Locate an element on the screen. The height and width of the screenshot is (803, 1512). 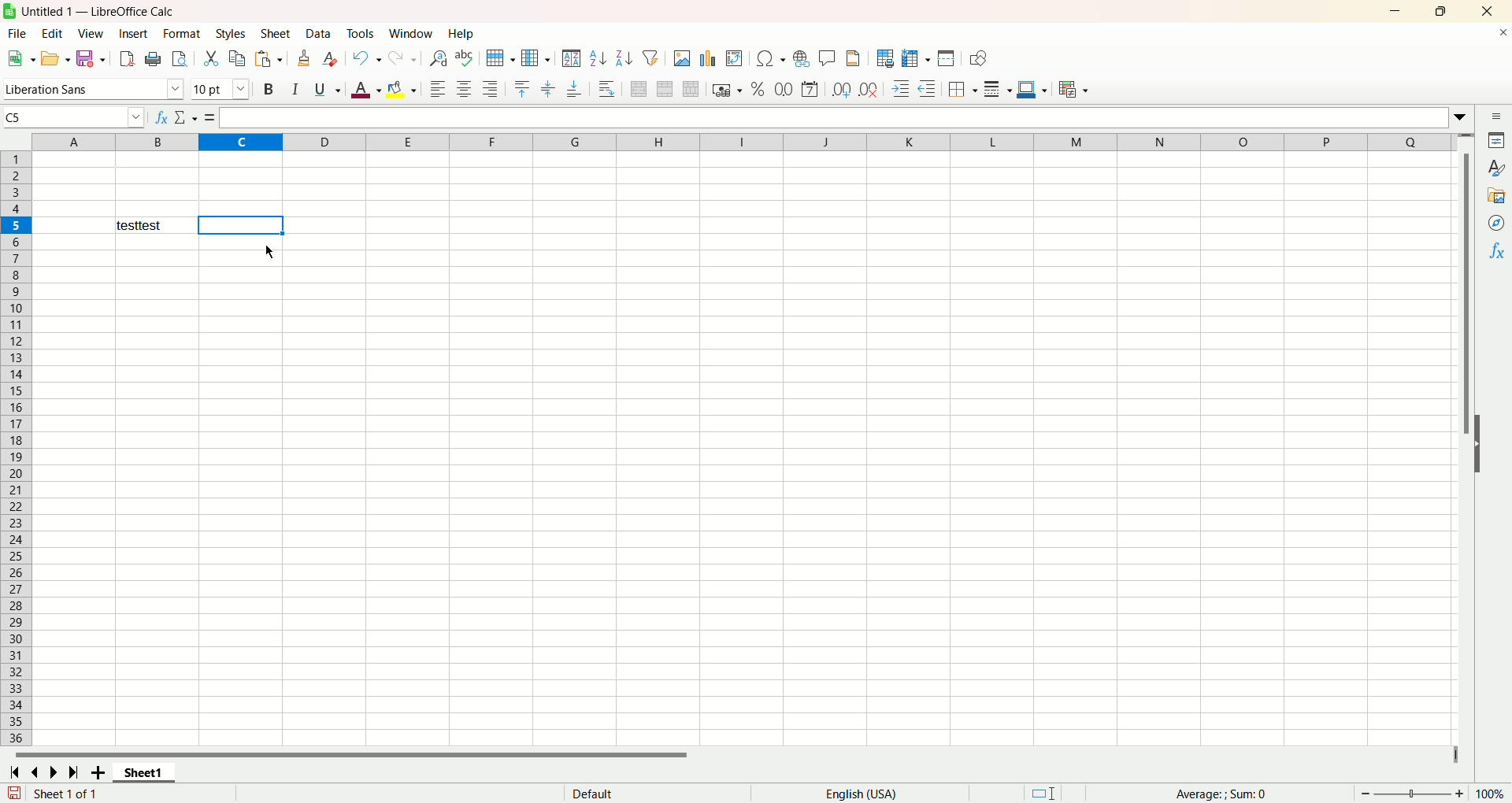
clear formatting is located at coordinates (330, 58).